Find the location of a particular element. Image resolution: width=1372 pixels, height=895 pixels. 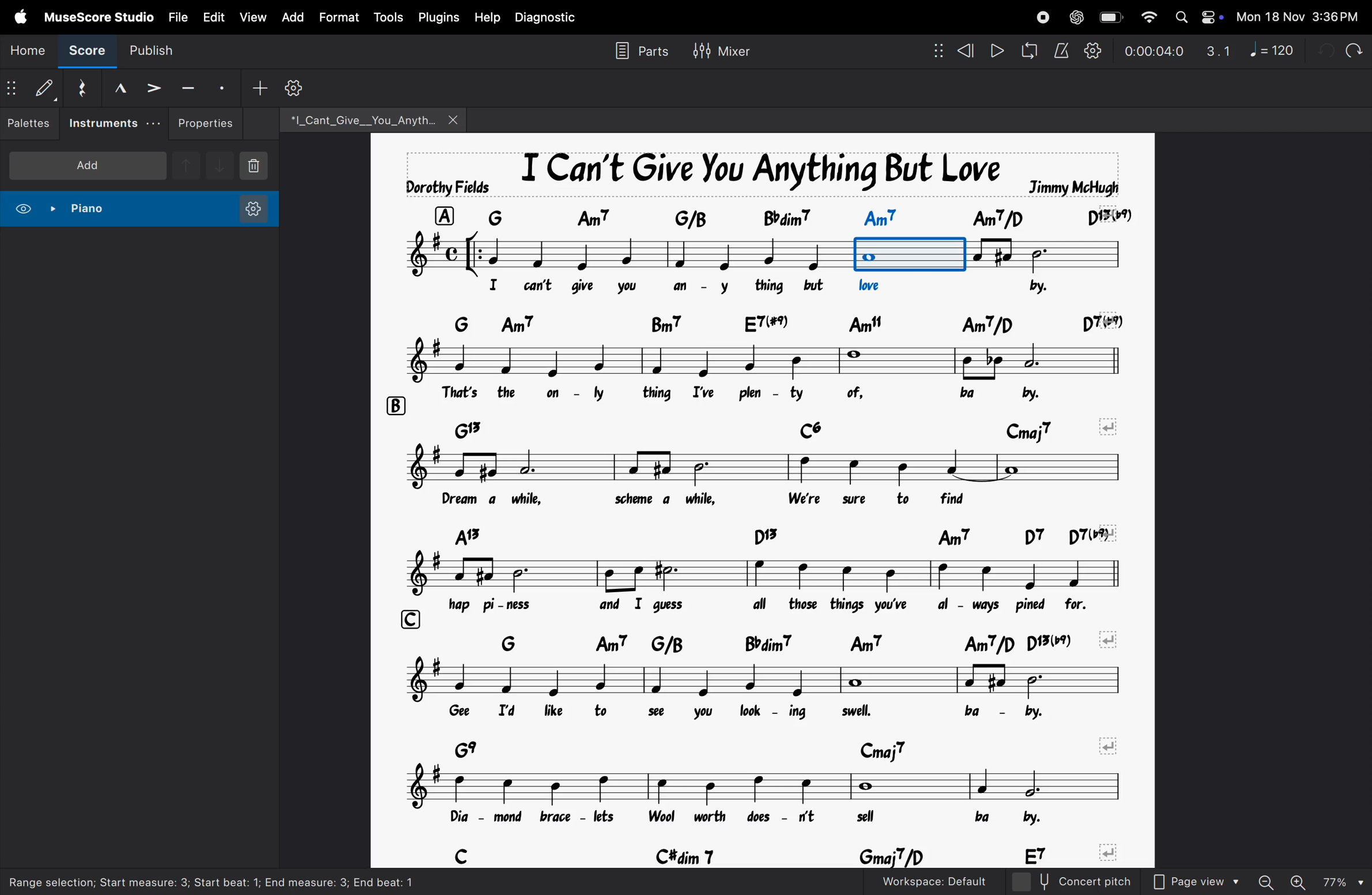

play is located at coordinates (997, 51).